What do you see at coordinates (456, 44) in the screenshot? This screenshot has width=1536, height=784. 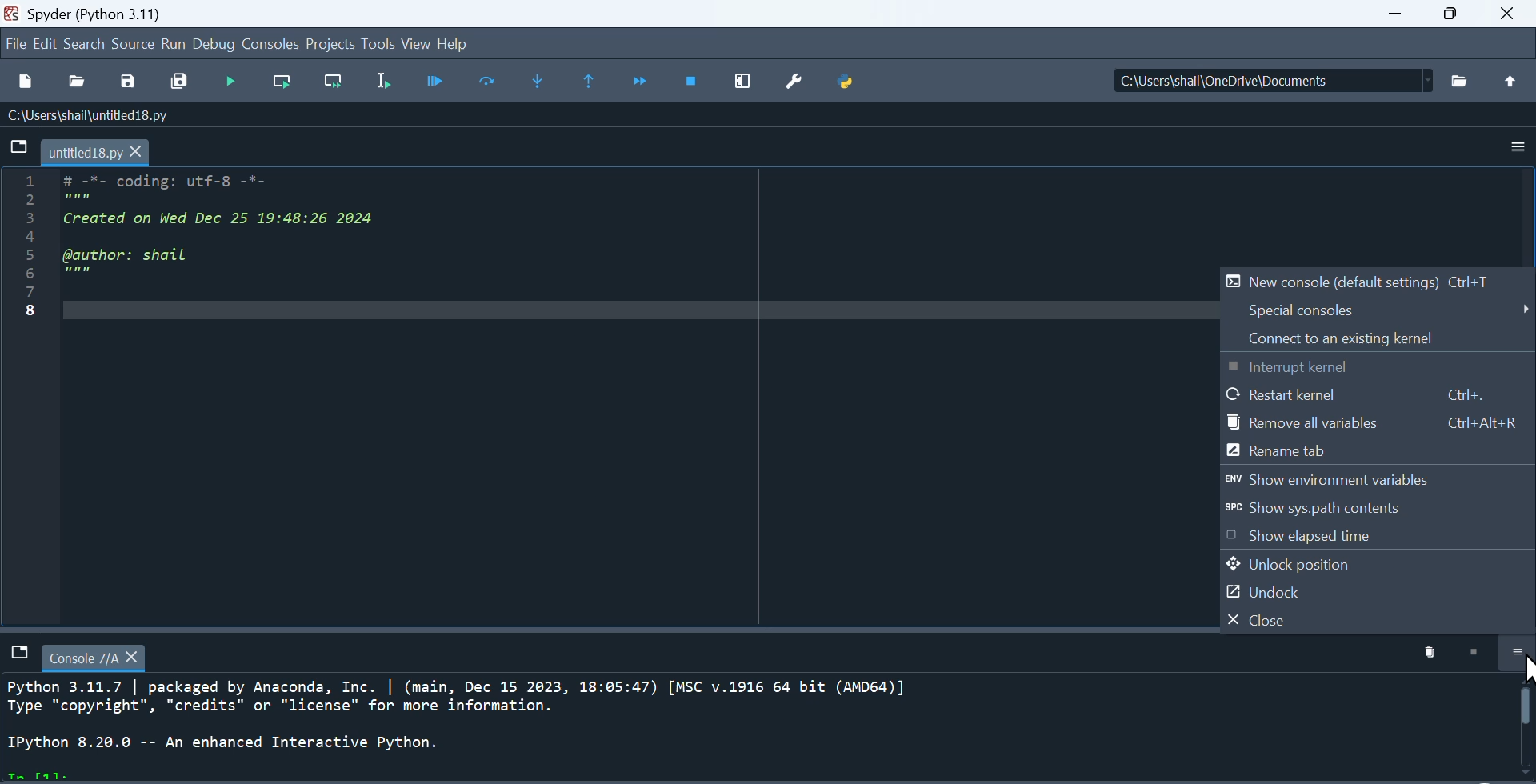 I see `hlep` at bounding box center [456, 44].